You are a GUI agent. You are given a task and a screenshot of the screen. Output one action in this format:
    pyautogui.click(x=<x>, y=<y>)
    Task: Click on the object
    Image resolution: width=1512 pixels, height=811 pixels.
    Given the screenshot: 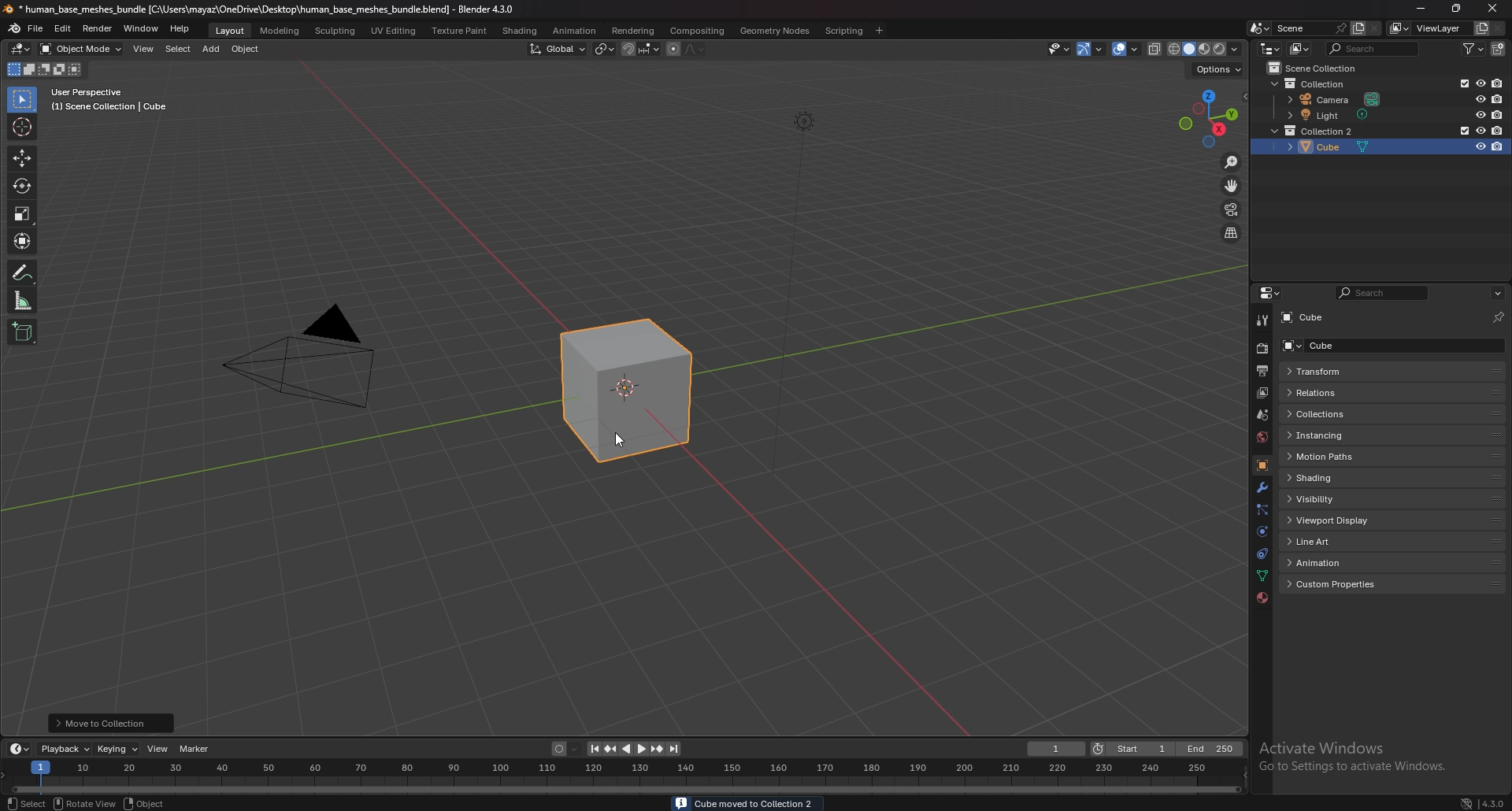 What is the action you would take?
    pyautogui.click(x=1262, y=466)
    